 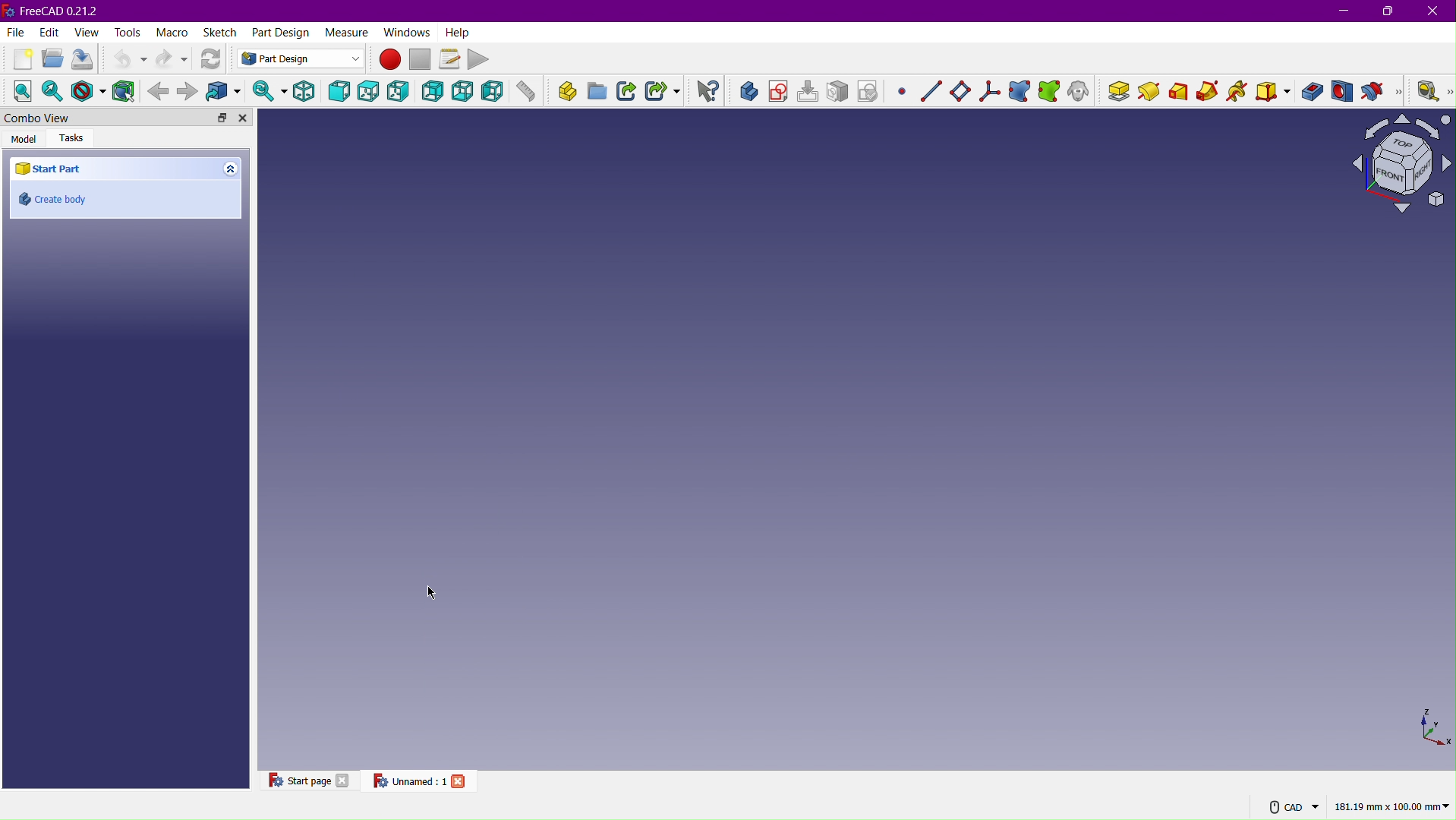 What do you see at coordinates (597, 93) in the screenshot?
I see `Create group` at bounding box center [597, 93].